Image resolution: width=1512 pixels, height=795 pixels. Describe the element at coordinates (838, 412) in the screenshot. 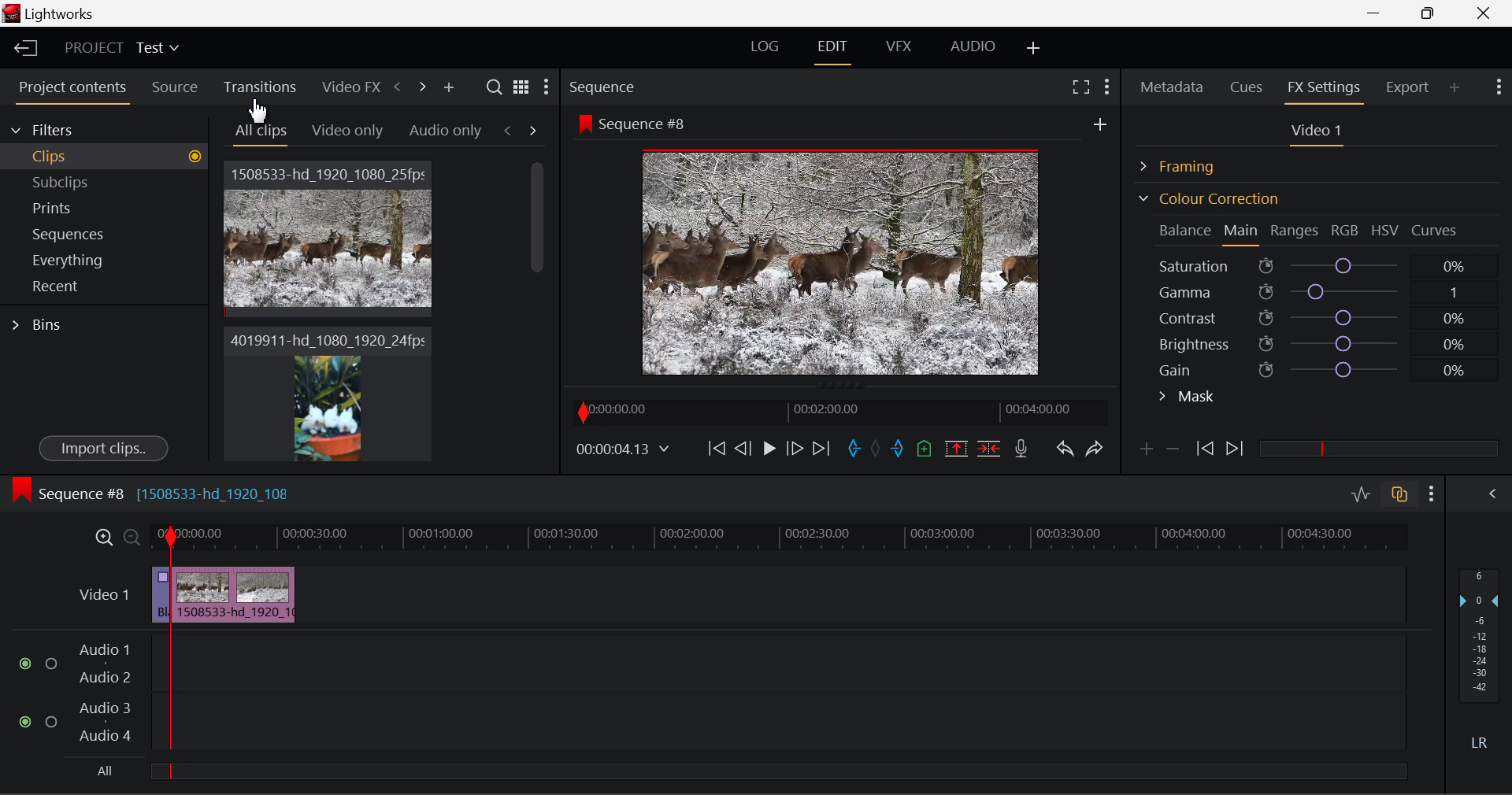

I see `Project Timeline Navigator` at that location.